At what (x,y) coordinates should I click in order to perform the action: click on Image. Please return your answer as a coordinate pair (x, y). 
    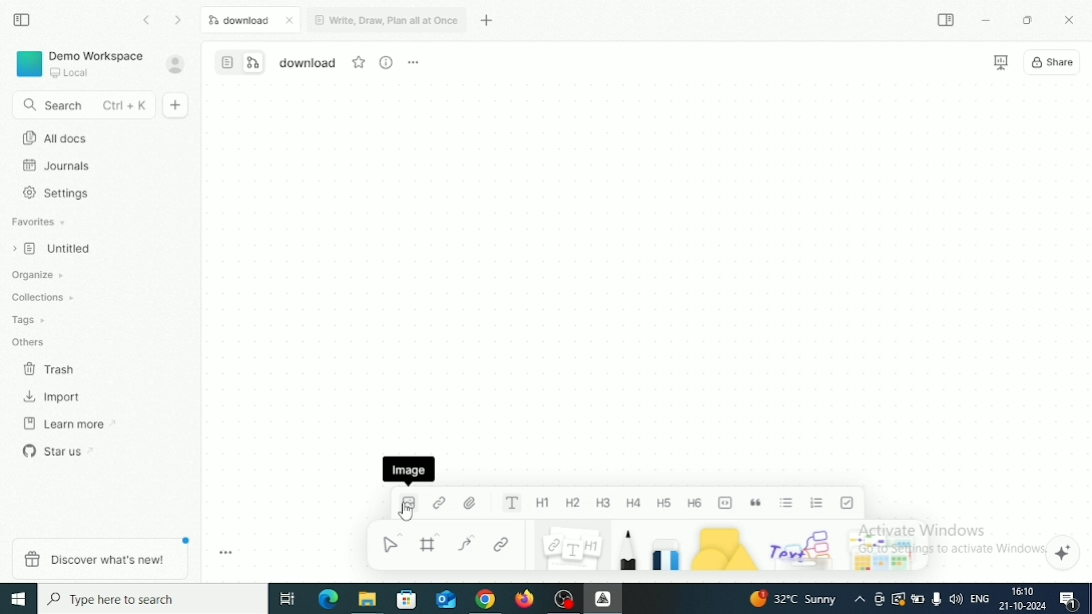
    Looking at the image, I should click on (409, 469).